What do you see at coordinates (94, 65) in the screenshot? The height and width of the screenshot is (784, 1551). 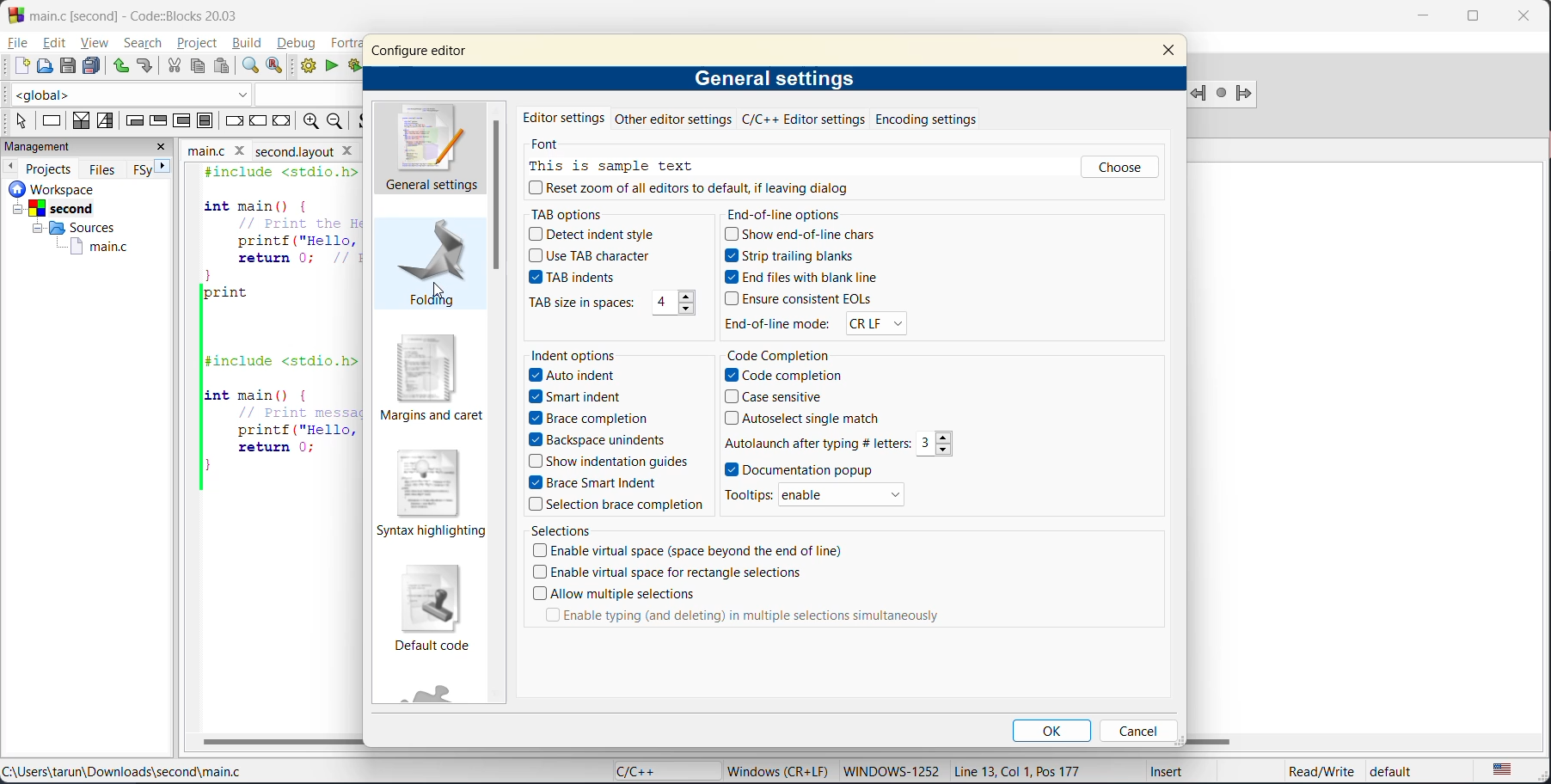 I see `save everything` at bounding box center [94, 65].